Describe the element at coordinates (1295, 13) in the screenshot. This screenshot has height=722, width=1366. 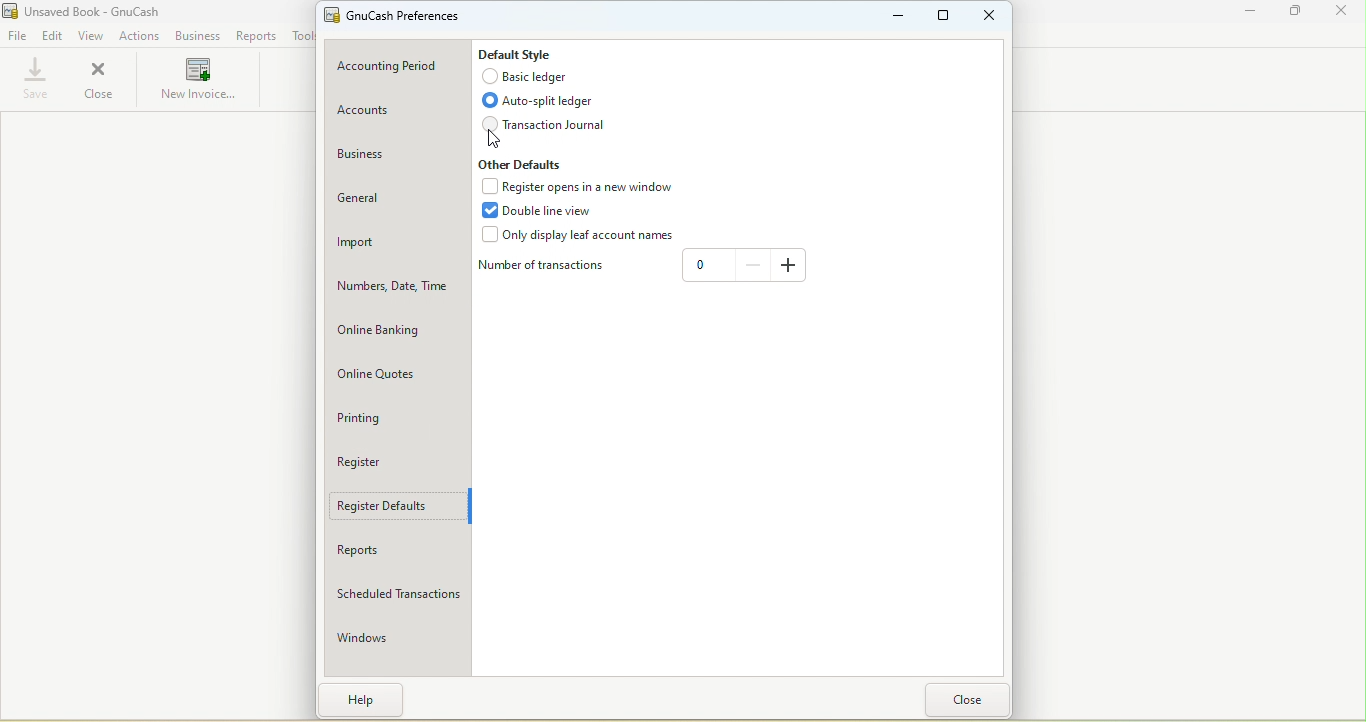
I see `Maximize` at that location.